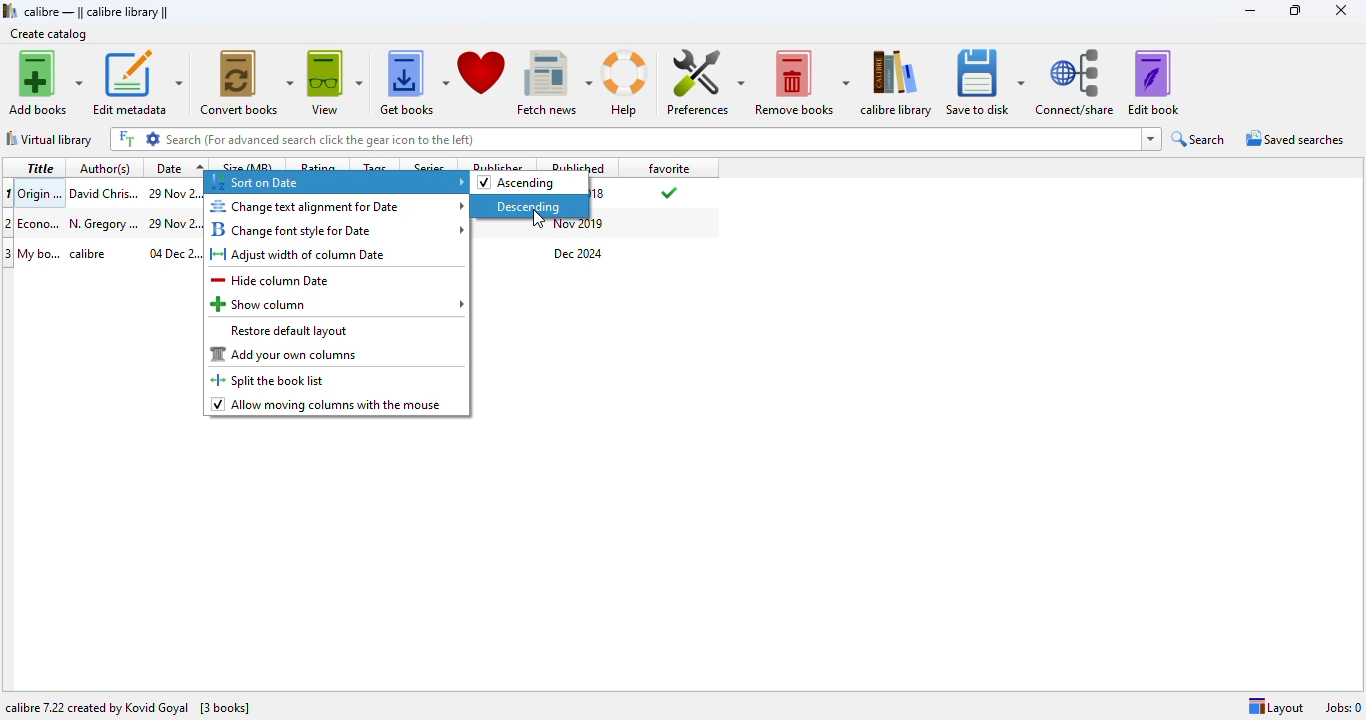 The height and width of the screenshot is (720, 1366). What do you see at coordinates (139, 84) in the screenshot?
I see `edit metadata` at bounding box center [139, 84].